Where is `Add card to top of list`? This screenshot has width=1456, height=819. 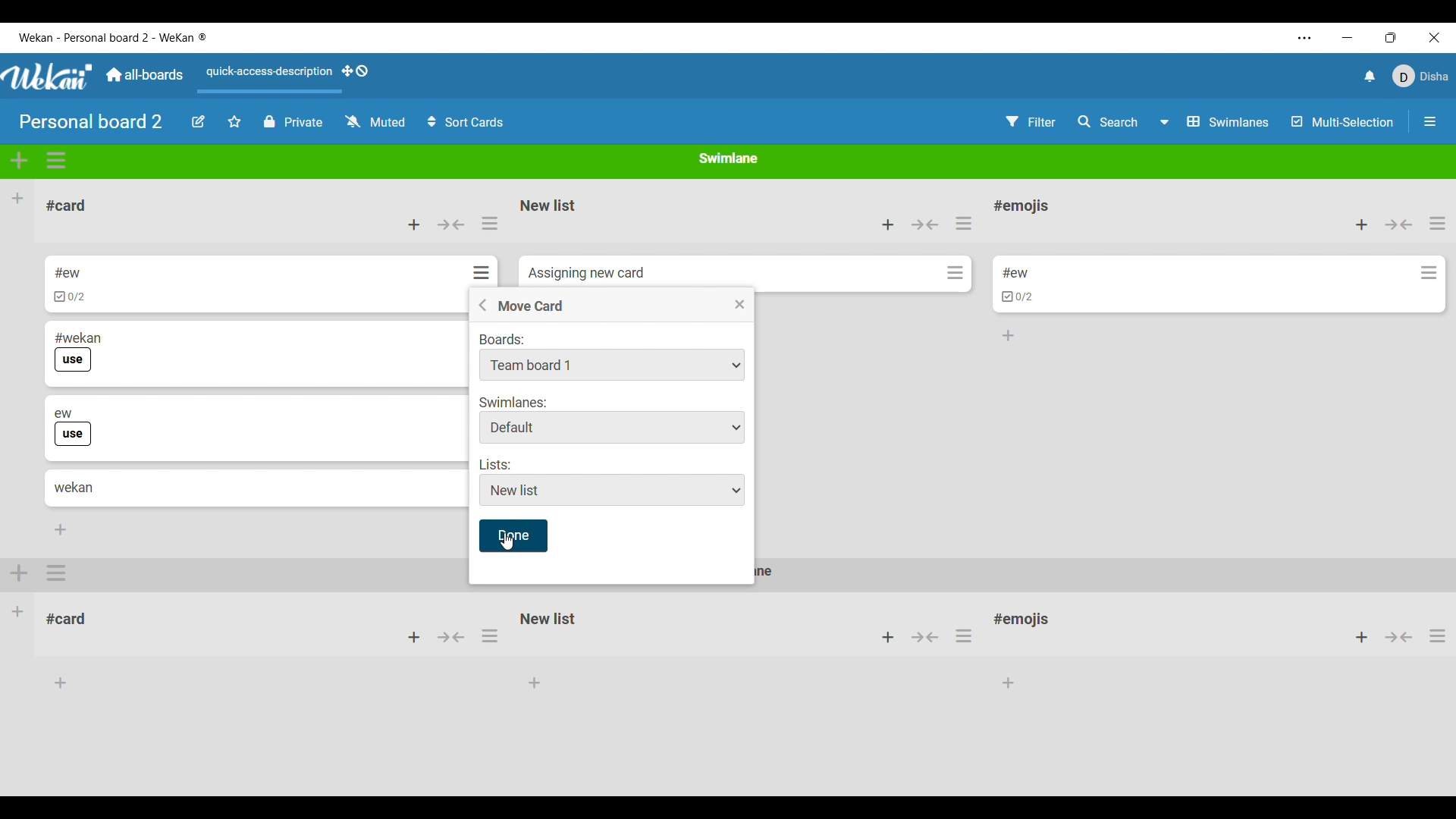 Add card to top of list is located at coordinates (888, 224).